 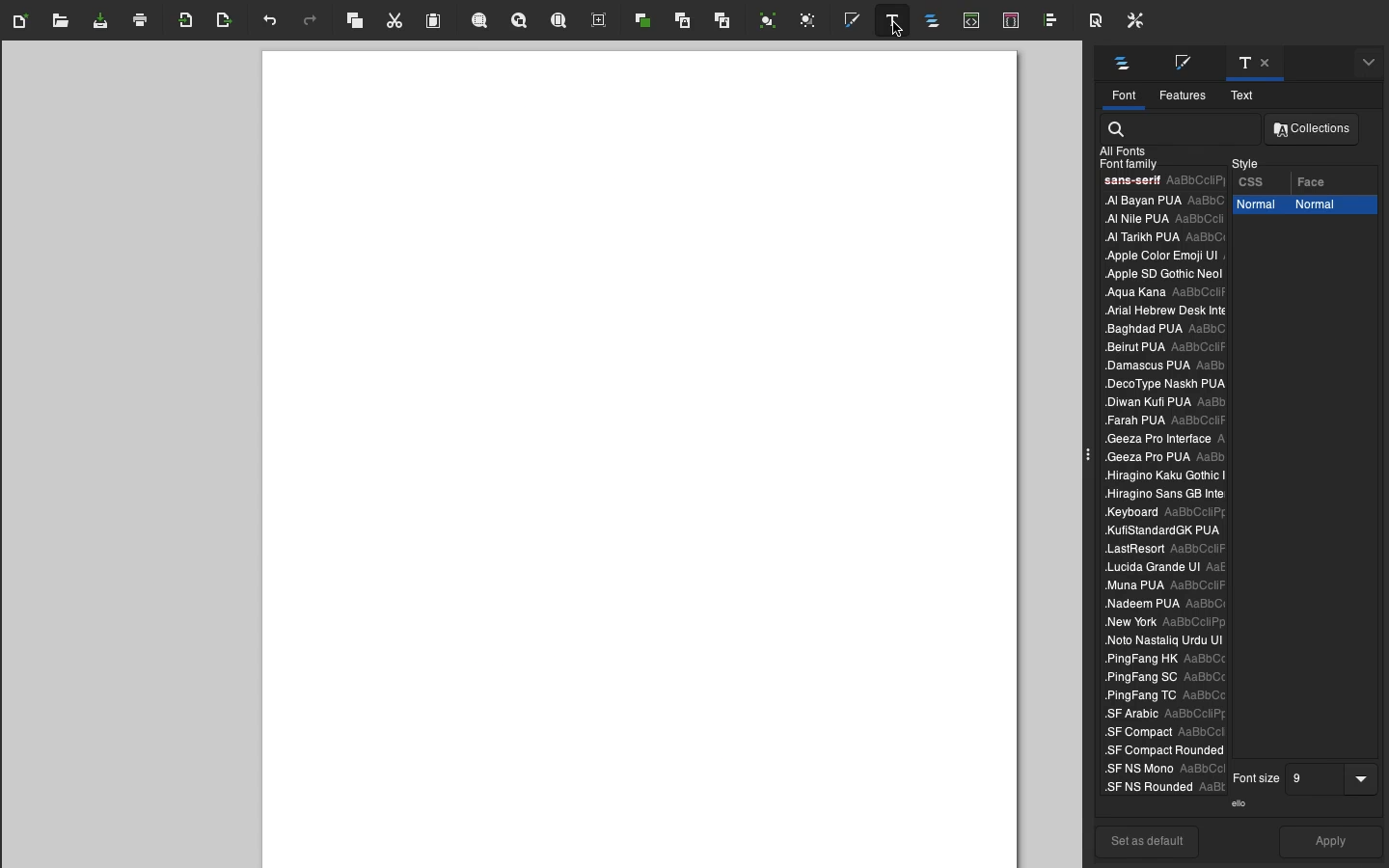 I want to click on Copy, so click(x=355, y=20).